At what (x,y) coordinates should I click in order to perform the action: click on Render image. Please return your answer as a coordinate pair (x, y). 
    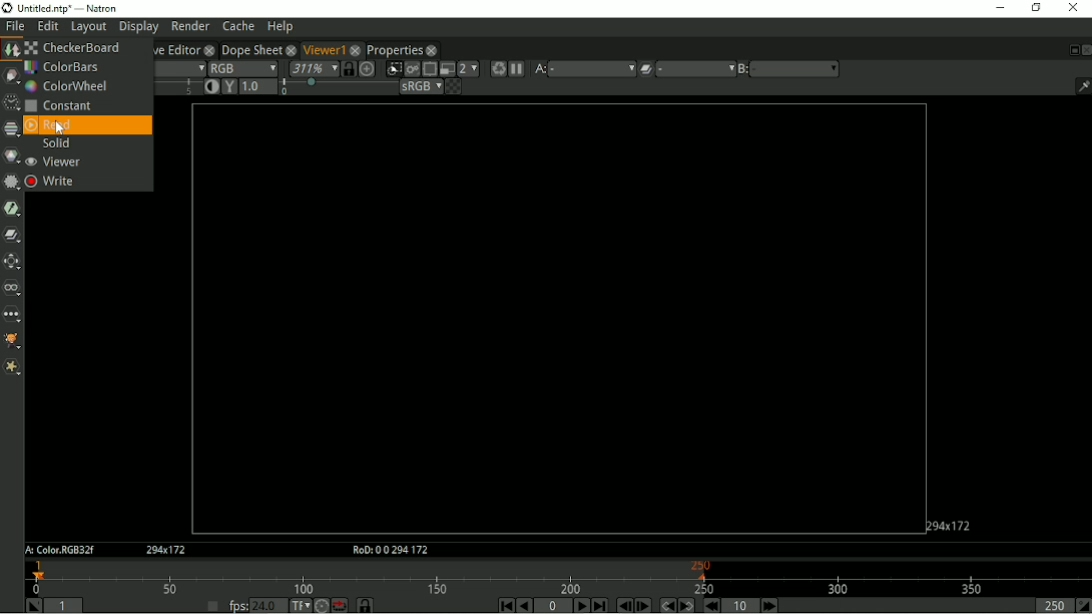
    Looking at the image, I should click on (411, 69).